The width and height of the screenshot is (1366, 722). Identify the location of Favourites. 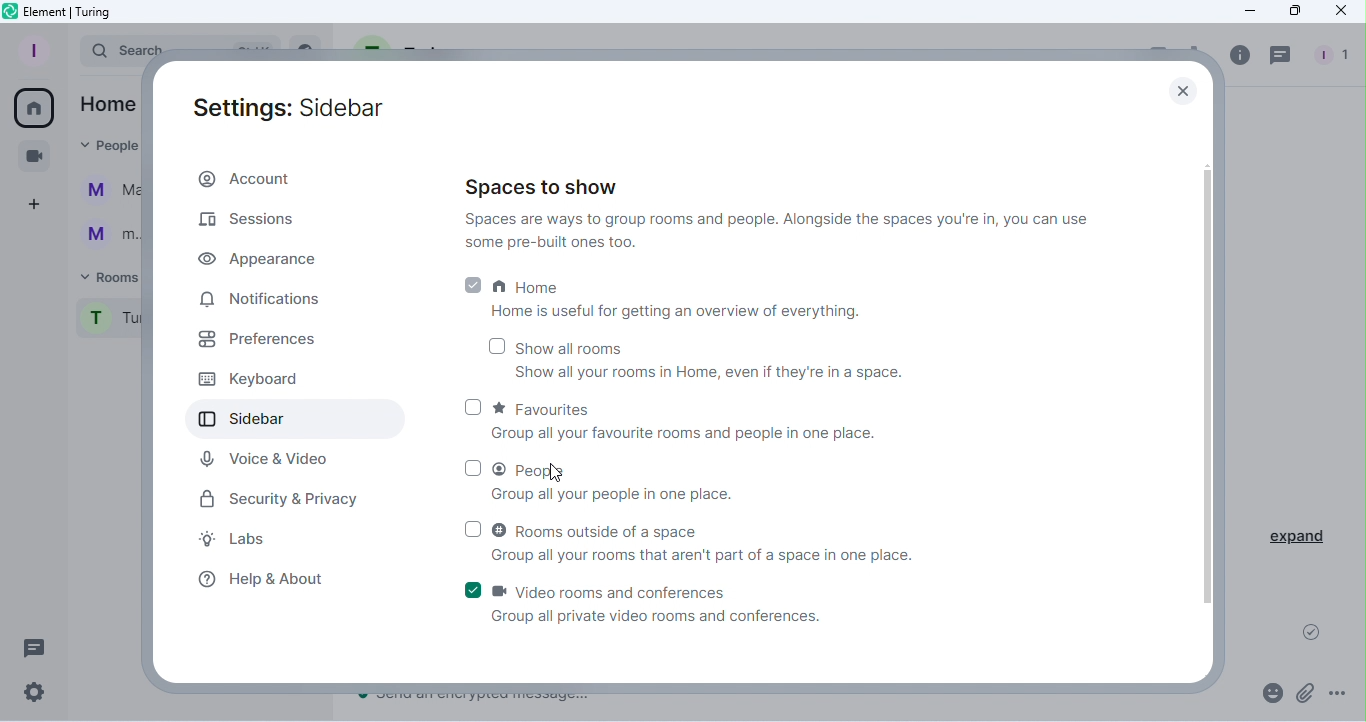
(725, 419).